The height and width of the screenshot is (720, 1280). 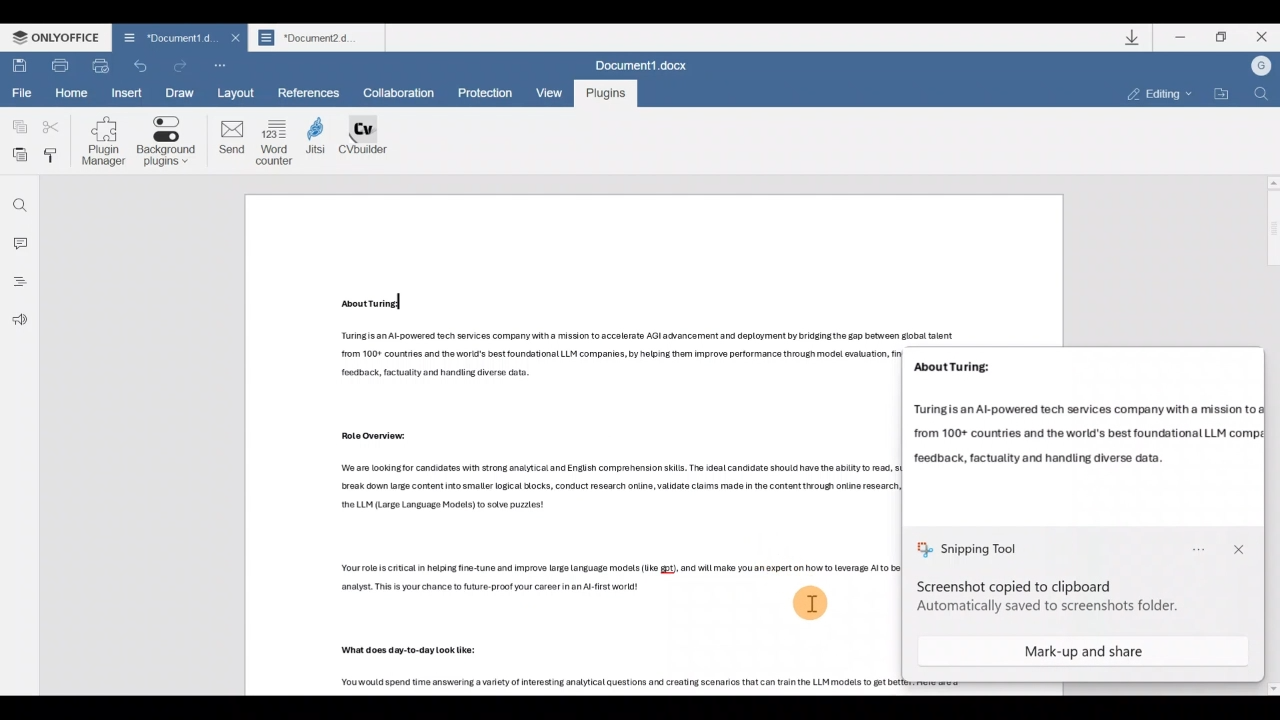 I want to click on Find, so click(x=1262, y=98).